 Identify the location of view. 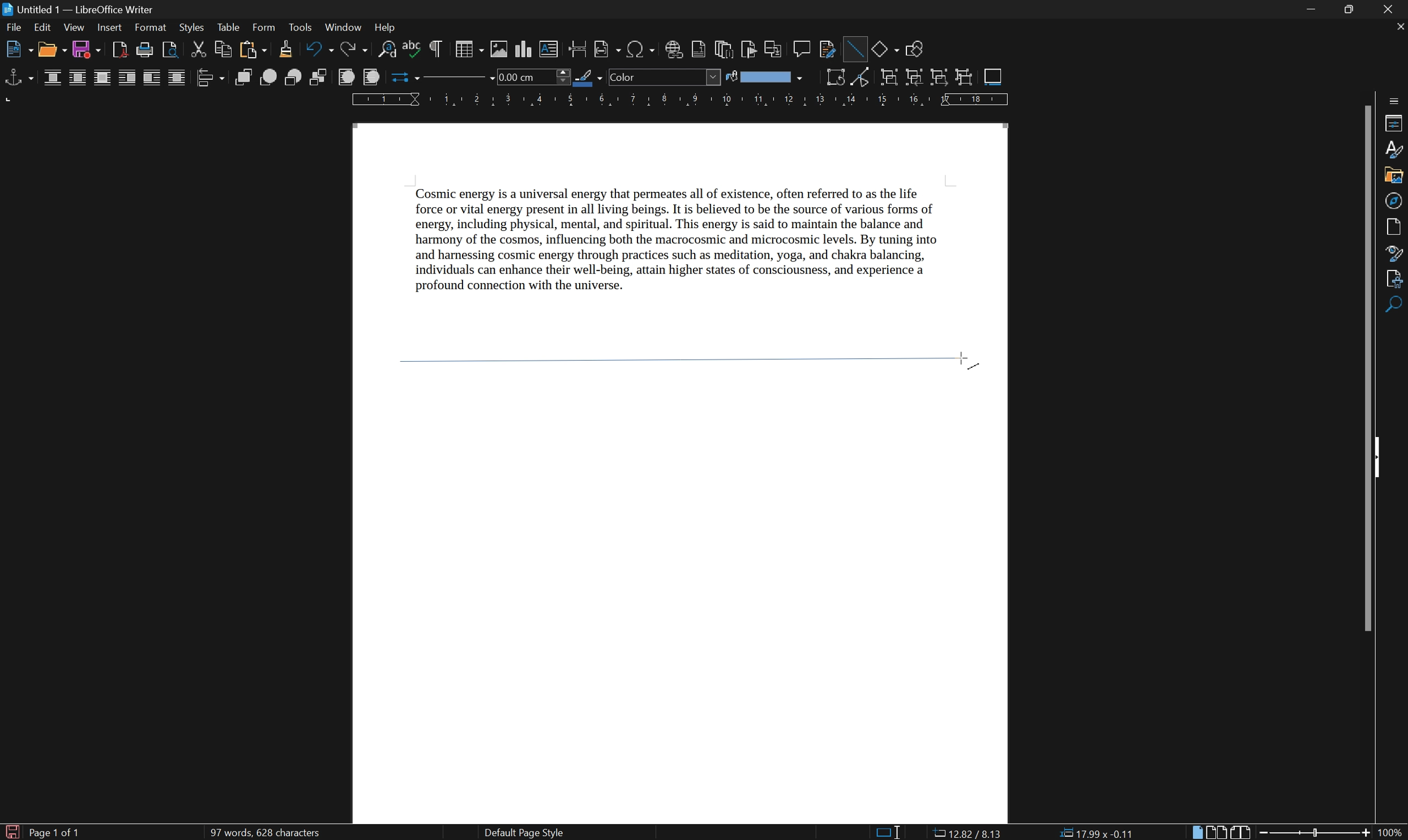
(74, 28).